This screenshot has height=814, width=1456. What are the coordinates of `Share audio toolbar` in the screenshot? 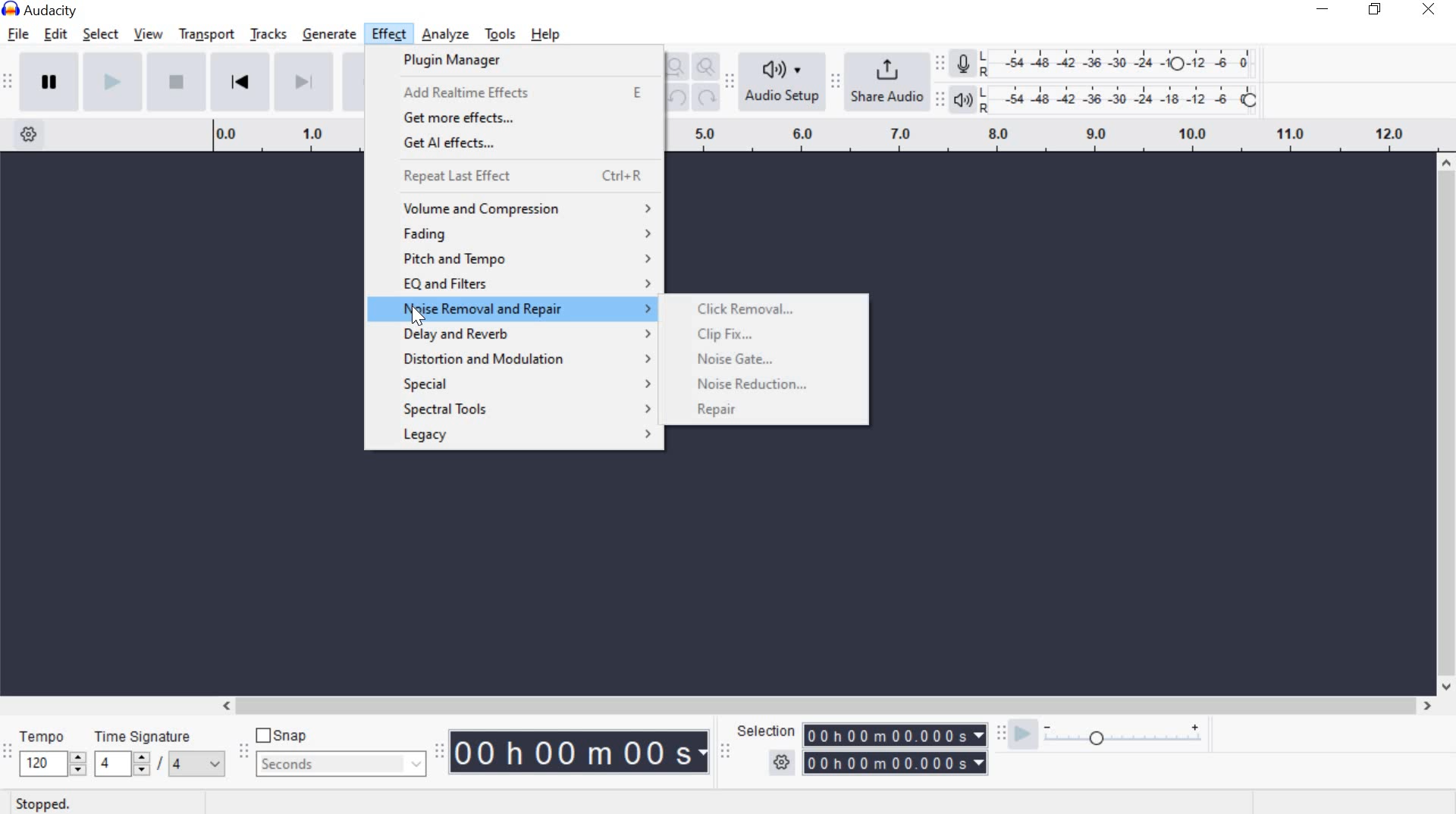 It's located at (836, 80).